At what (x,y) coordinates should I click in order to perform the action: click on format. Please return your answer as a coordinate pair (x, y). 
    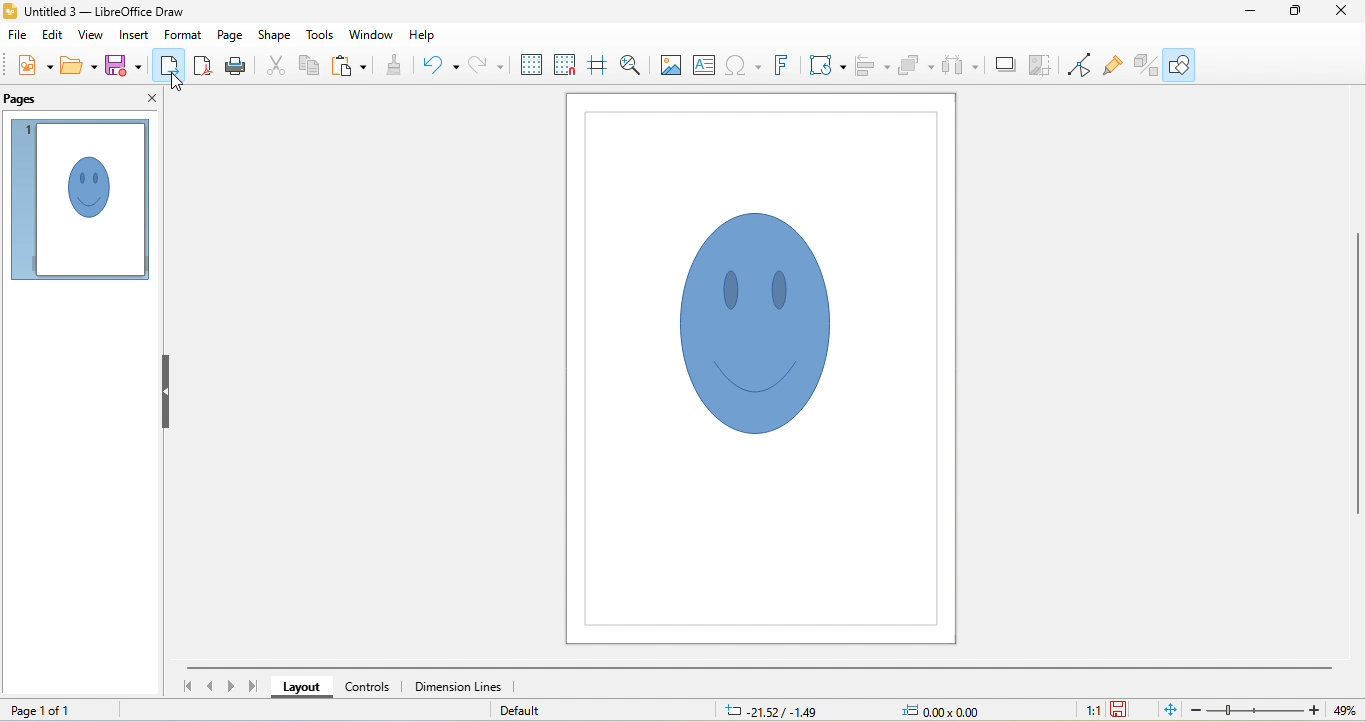
    Looking at the image, I should click on (181, 35).